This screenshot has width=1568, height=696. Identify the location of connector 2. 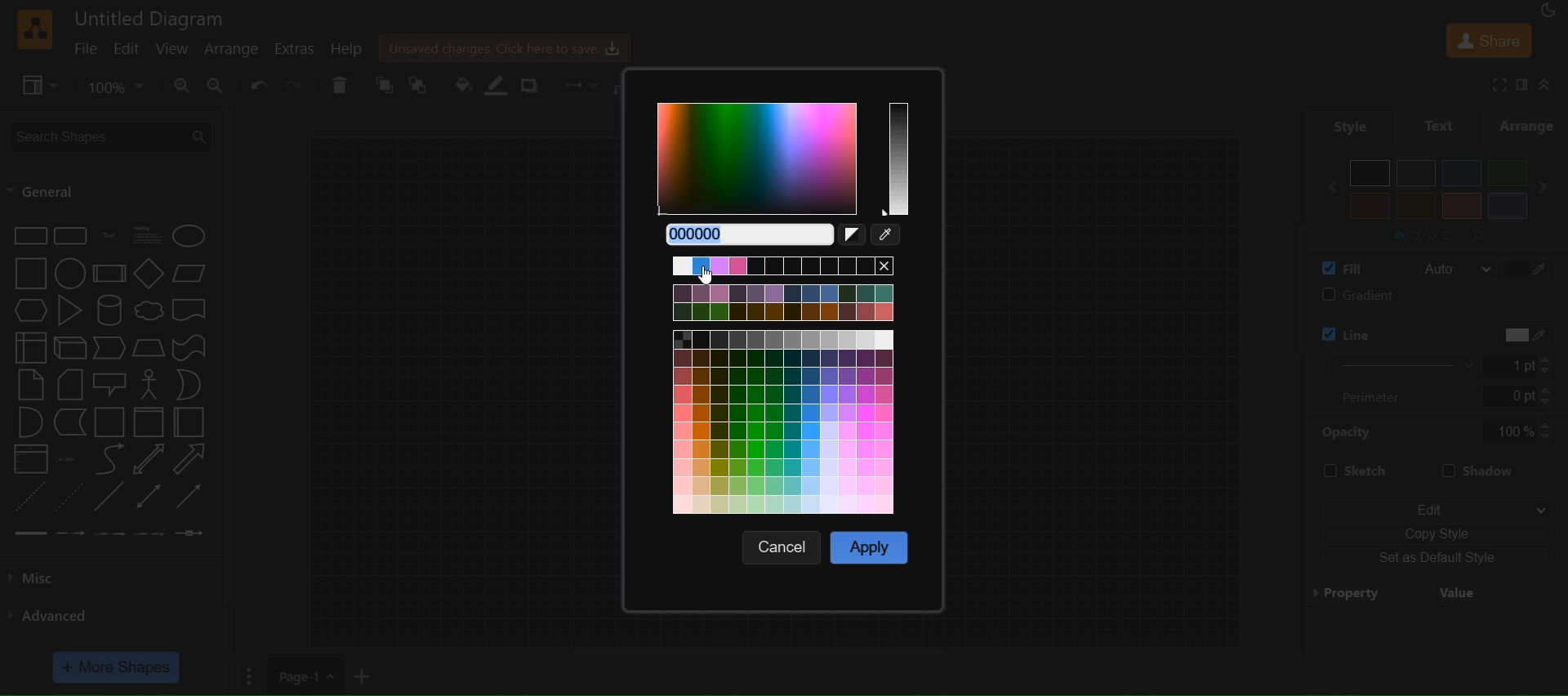
(71, 533).